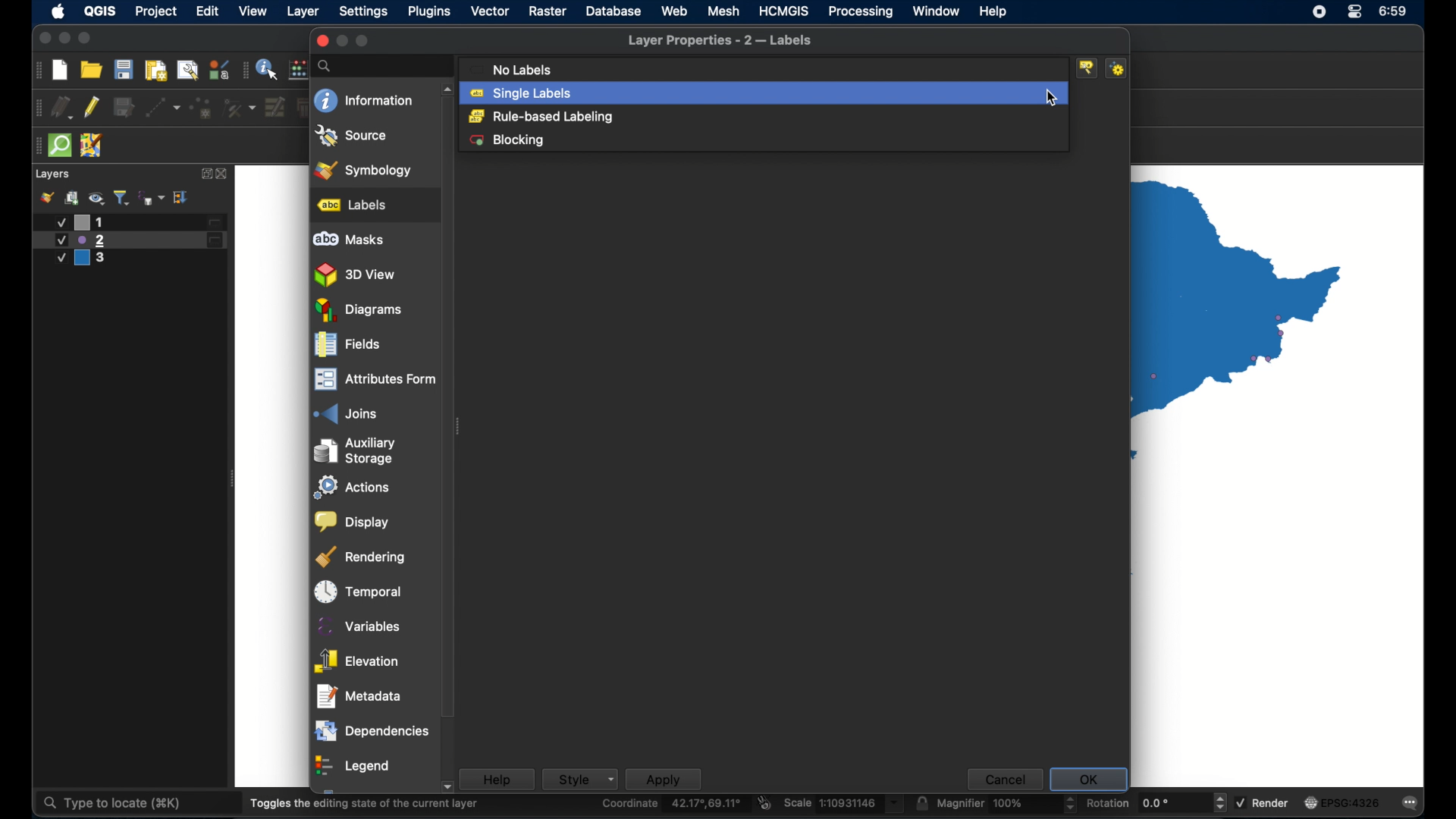 The image size is (1456, 819). What do you see at coordinates (371, 732) in the screenshot?
I see `dependencies` at bounding box center [371, 732].